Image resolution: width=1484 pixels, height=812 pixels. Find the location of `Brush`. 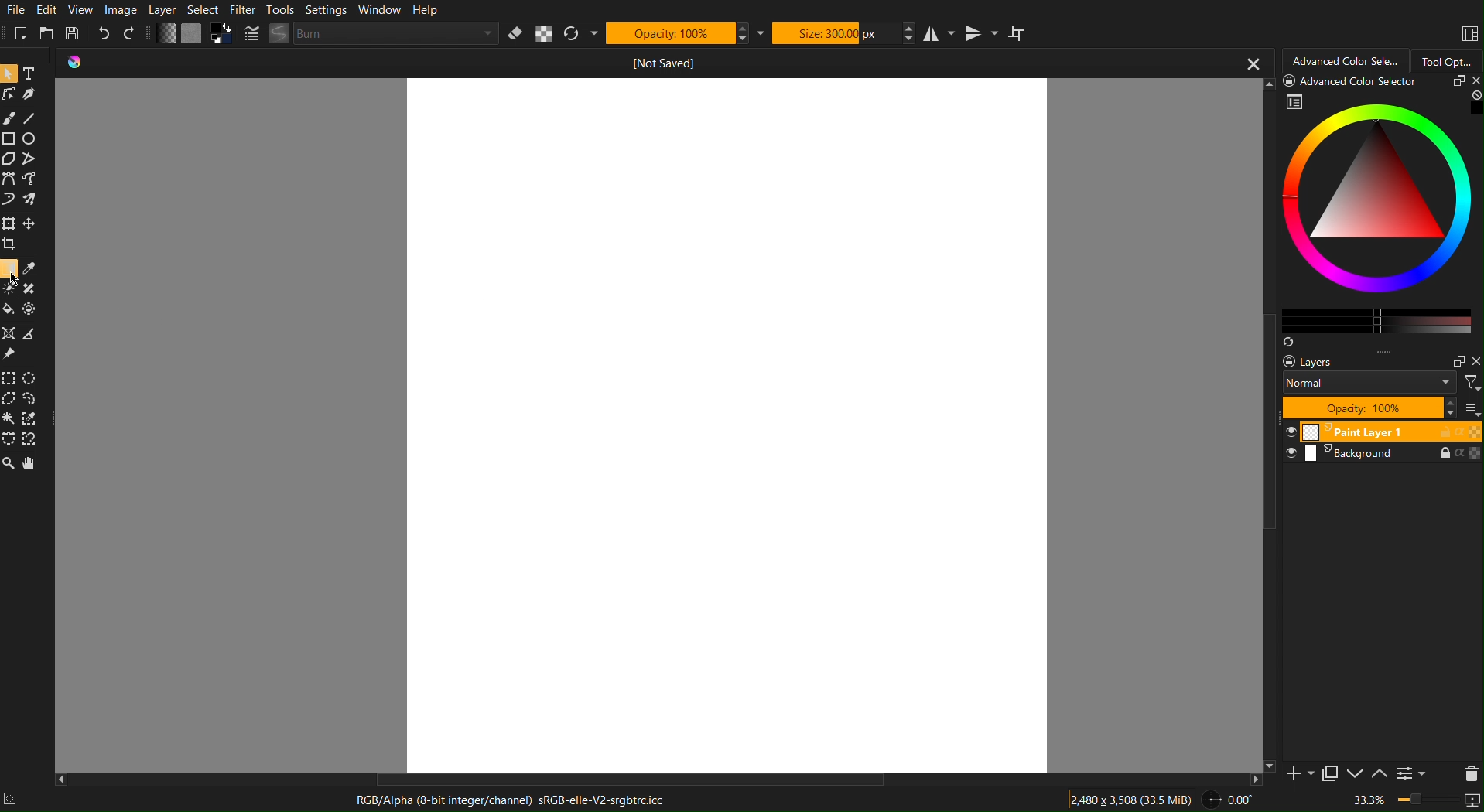

Brush is located at coordinates (9, 118).